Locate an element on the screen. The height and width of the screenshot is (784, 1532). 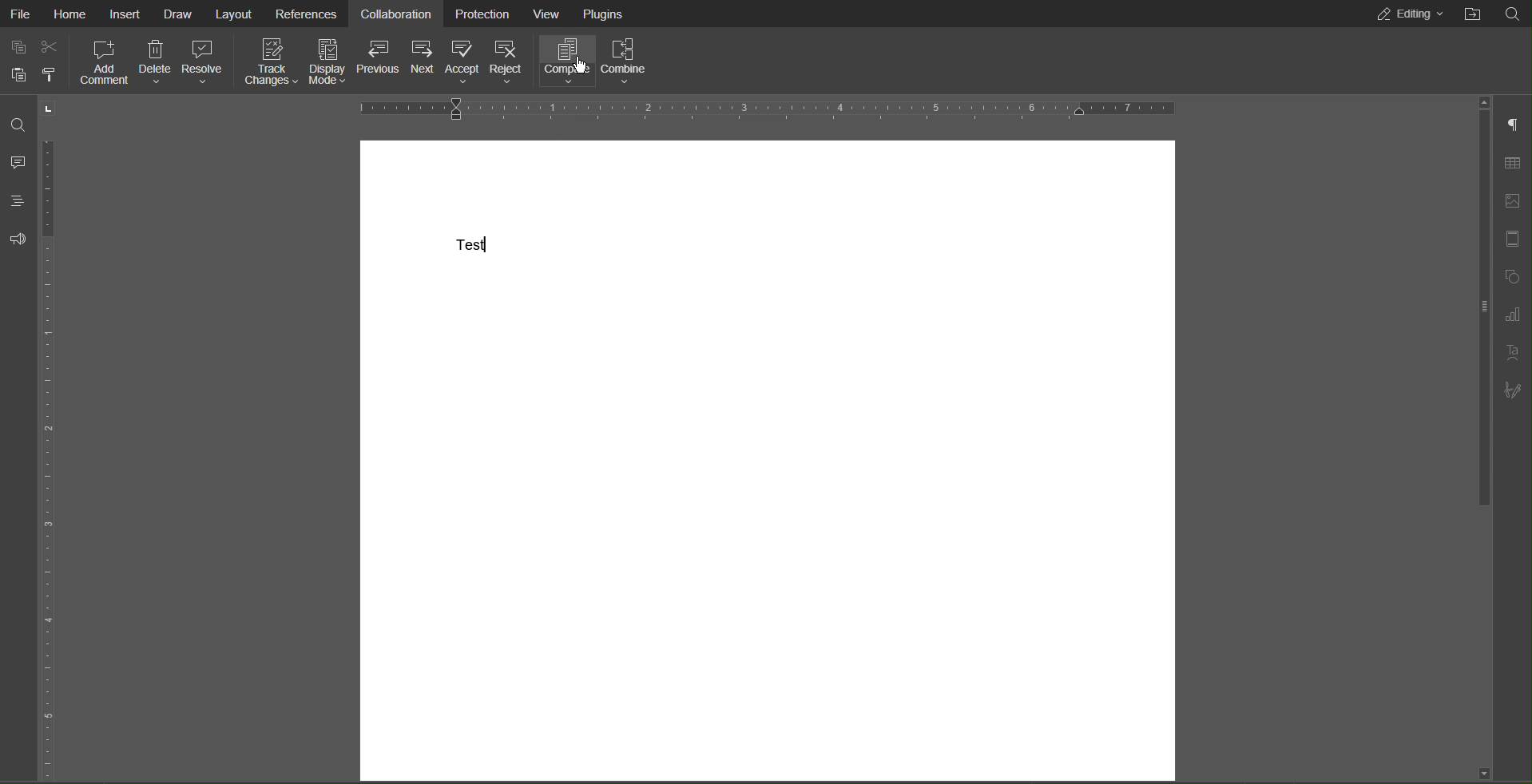
Test is located at coordinates (470, 246).